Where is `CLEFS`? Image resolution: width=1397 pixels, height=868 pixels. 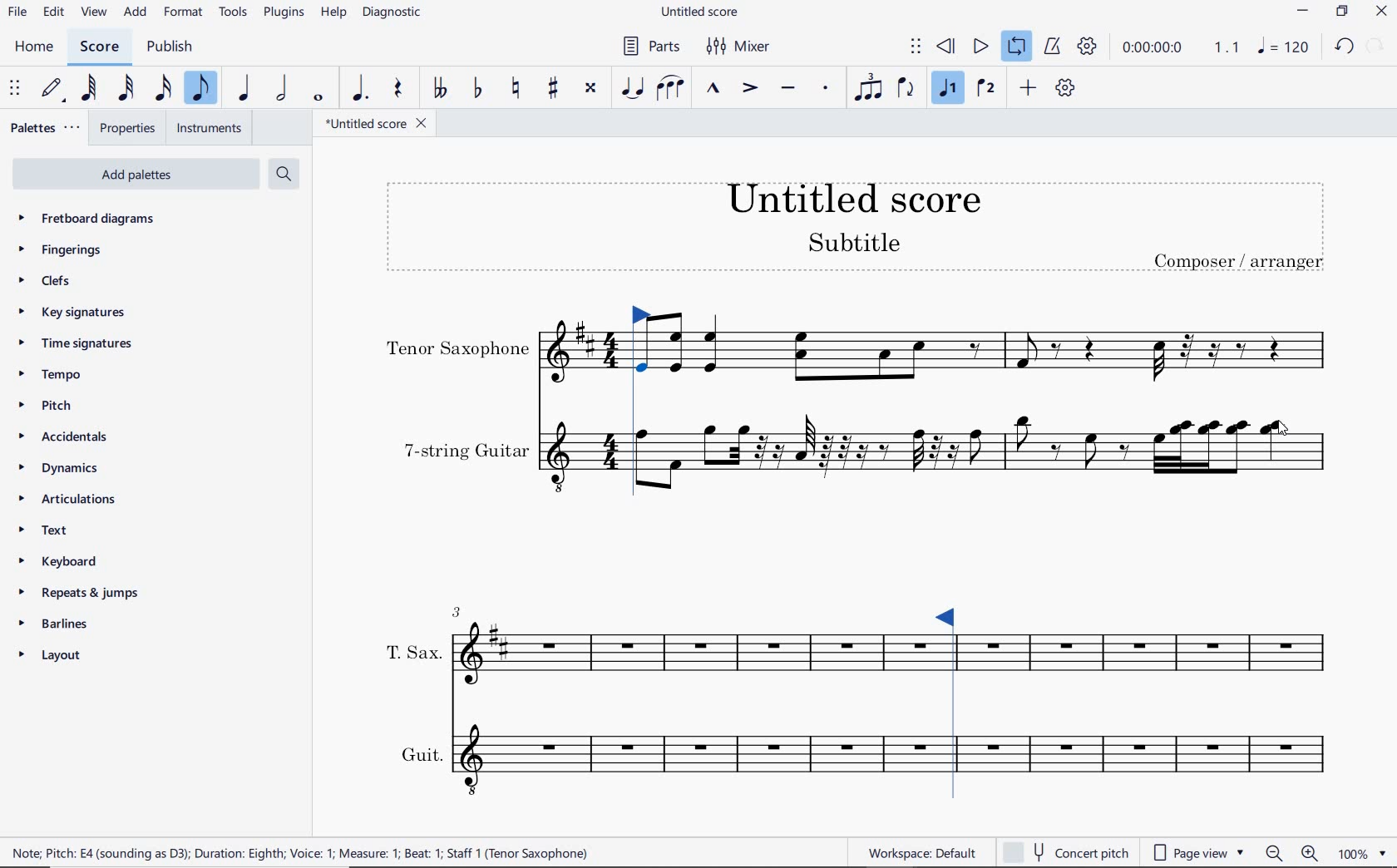 CLEFS is located at coordinates (52, 282).